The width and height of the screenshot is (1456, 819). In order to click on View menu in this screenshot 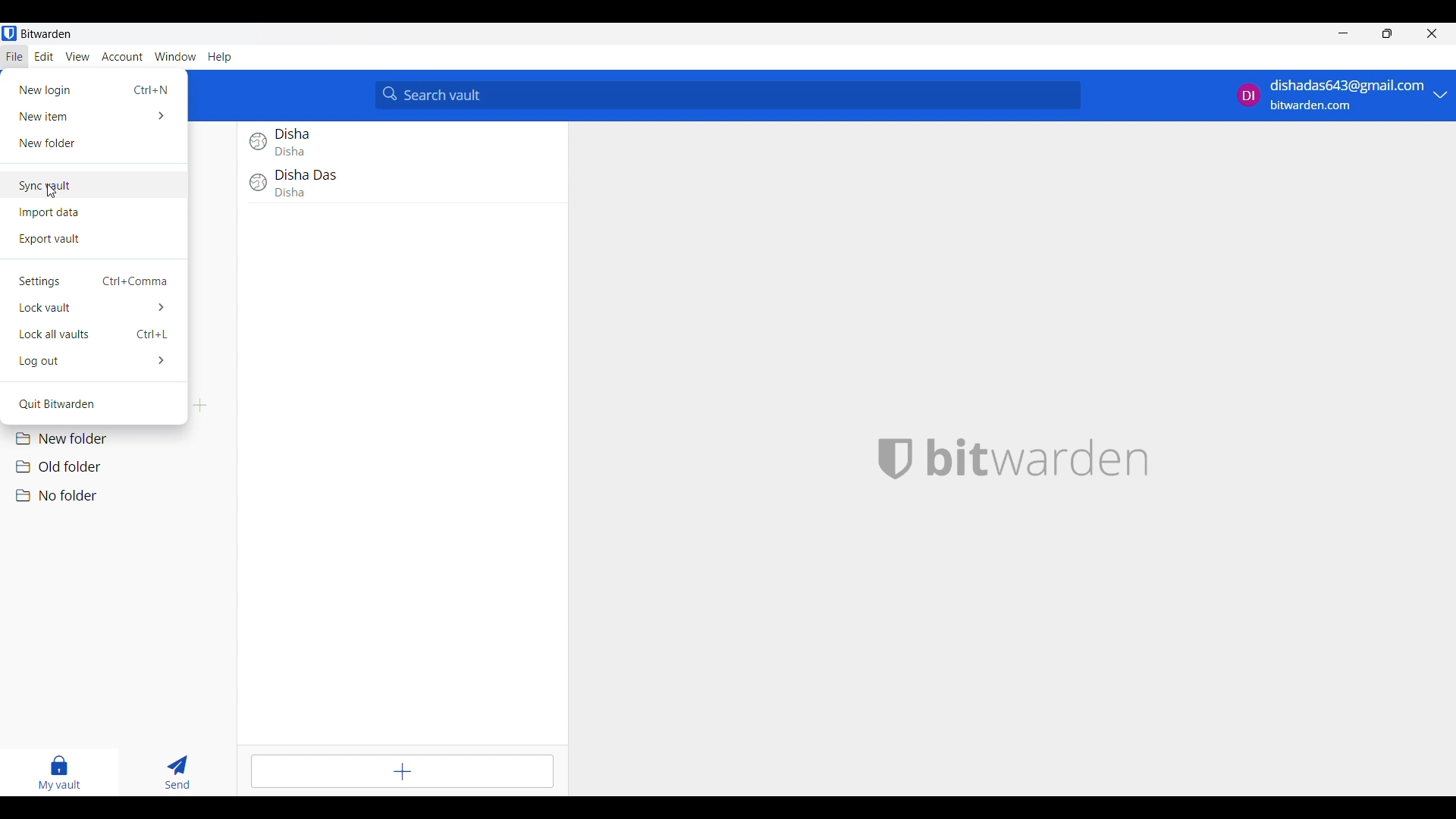, I will do `click(77, 57)`.